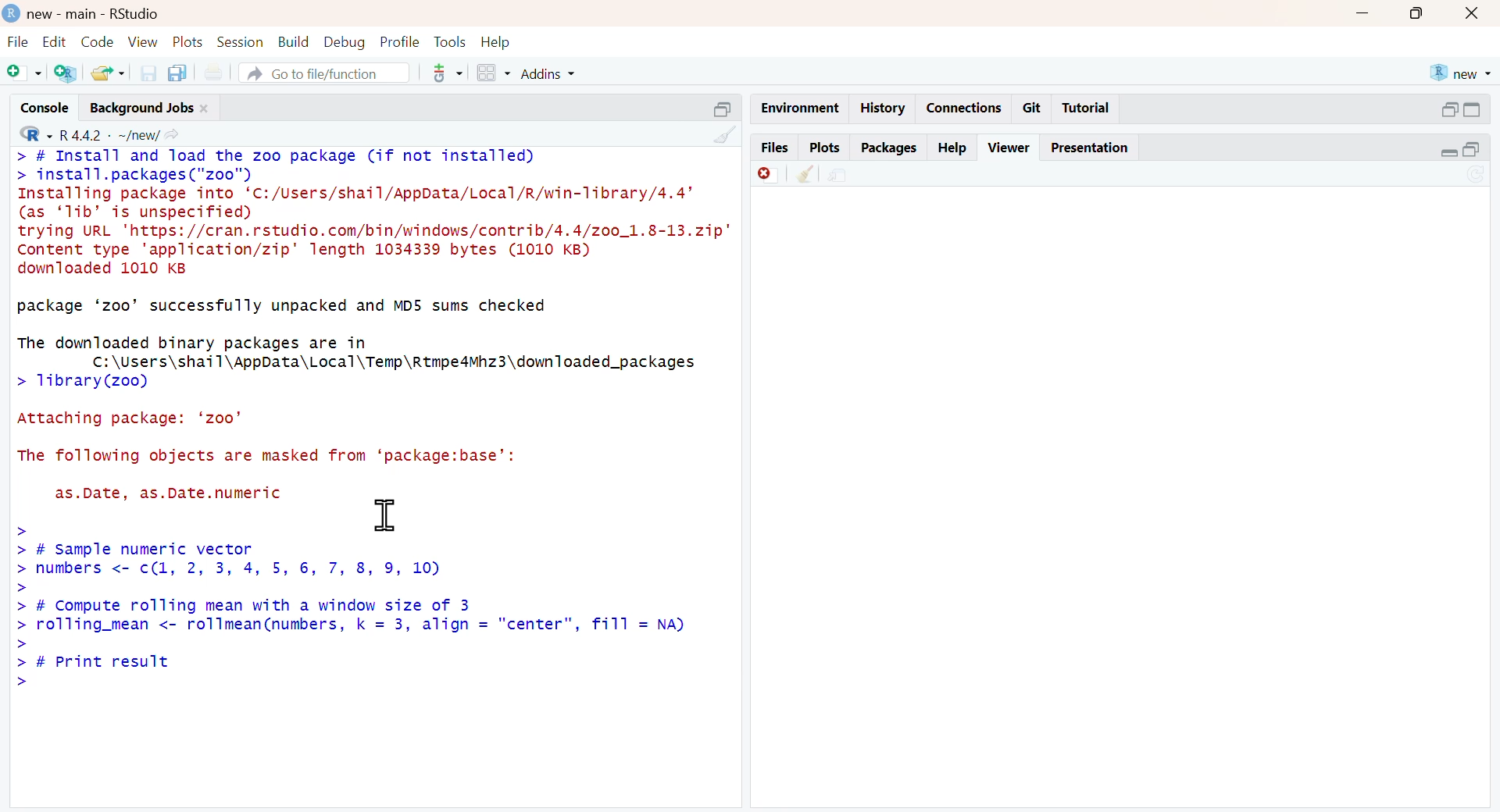  I want to click on switch to full view, so click(1472, 109).